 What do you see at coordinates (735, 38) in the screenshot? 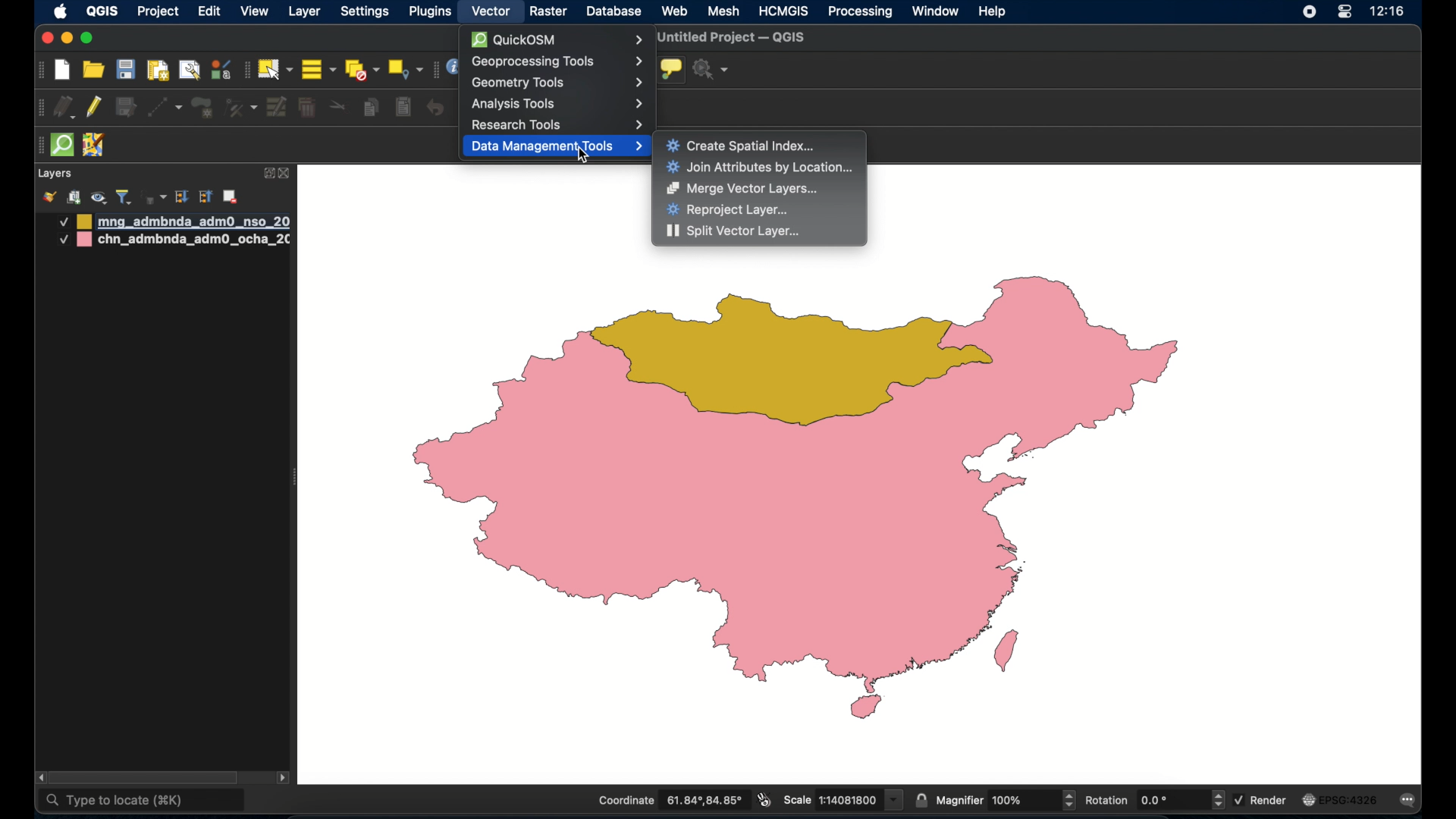
I see `untitled project - QGIS` at bounding box center [735, 38].